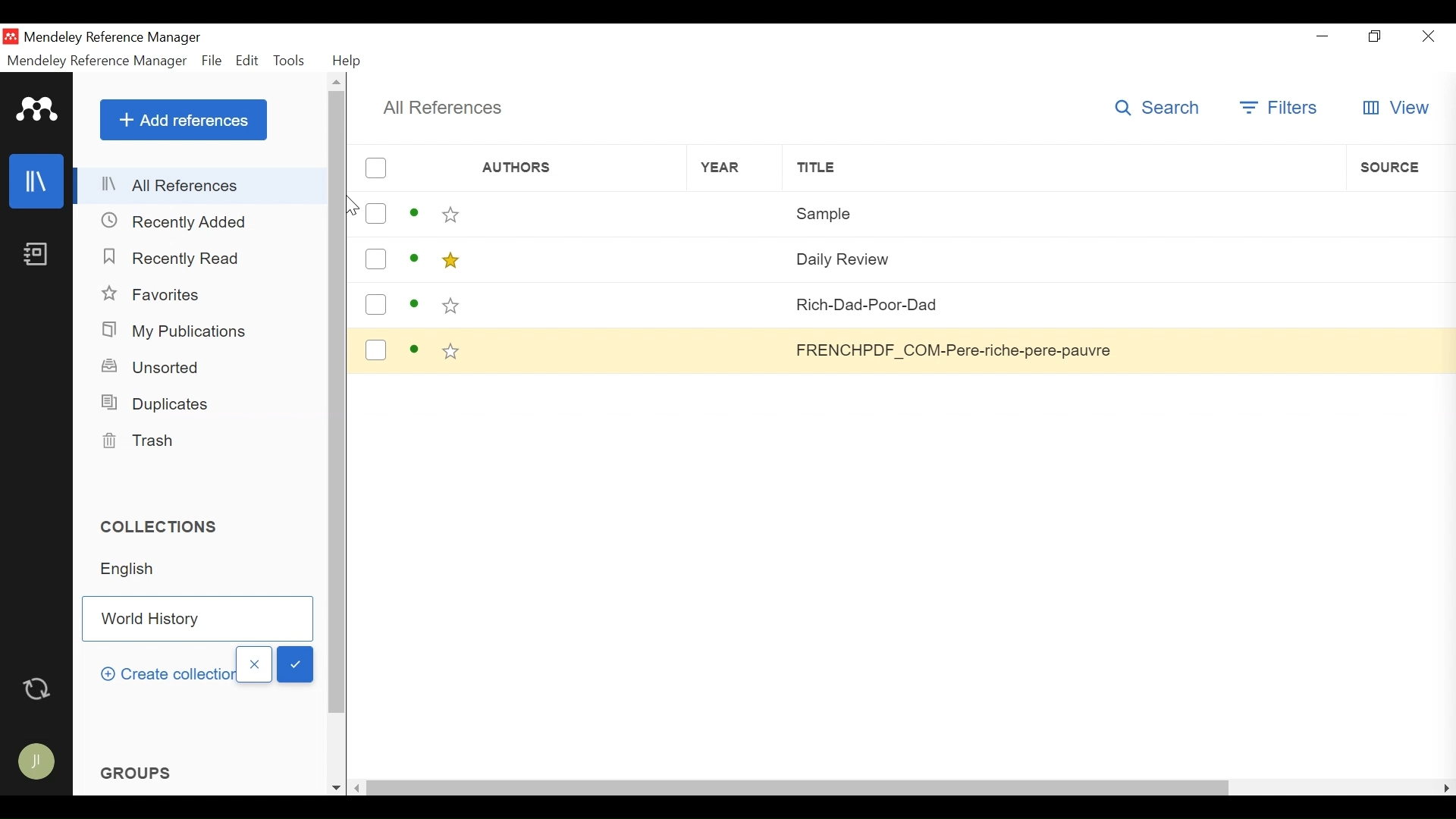 The width and height of the screenshot is (1456, 819). What do you see at coordinates (449, 261) in the screenshot?
I see `Toggle favorites` at bounding box center [449, 261].